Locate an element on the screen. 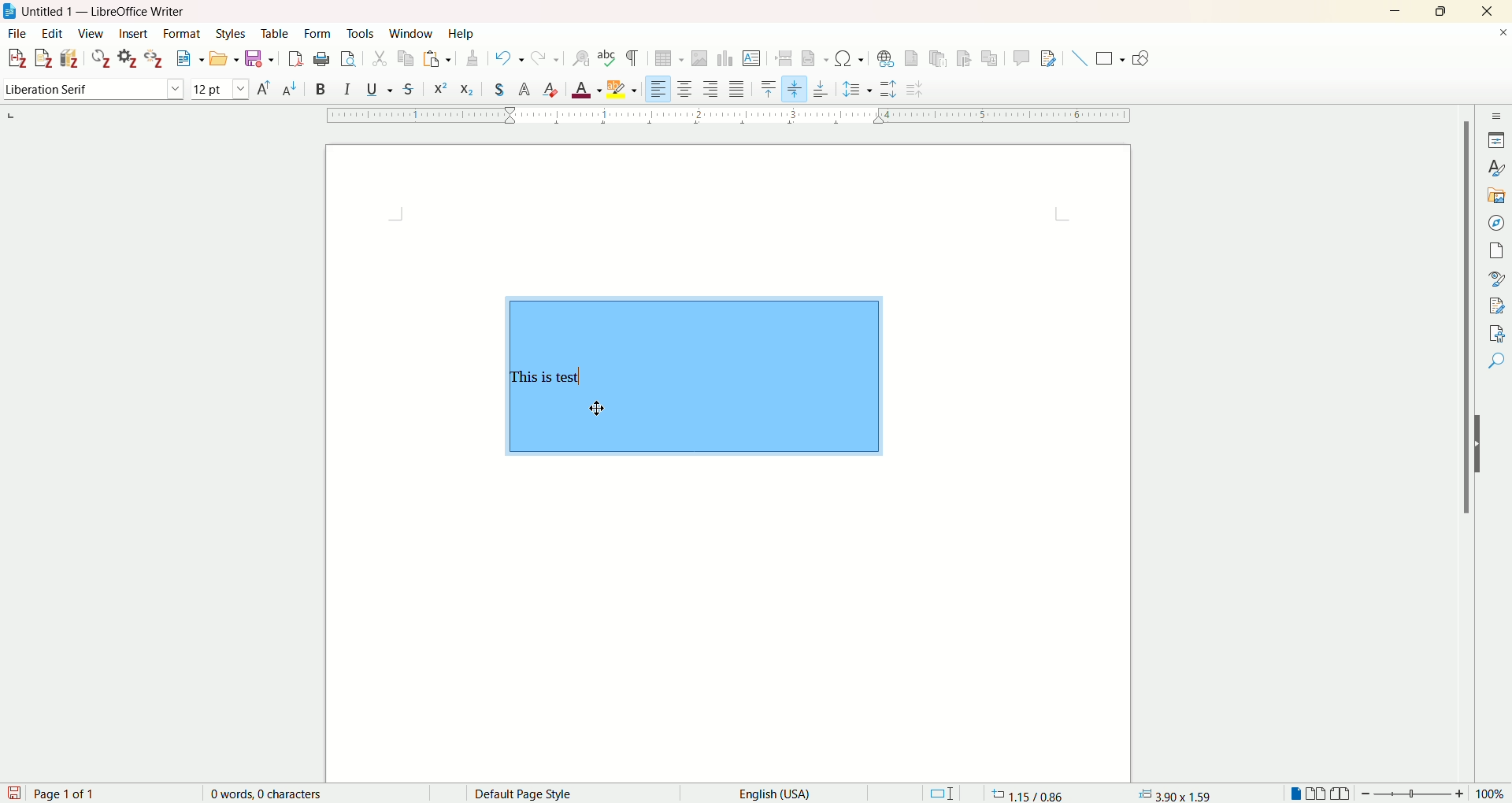  exit group is located at coordinates (1037, 91).